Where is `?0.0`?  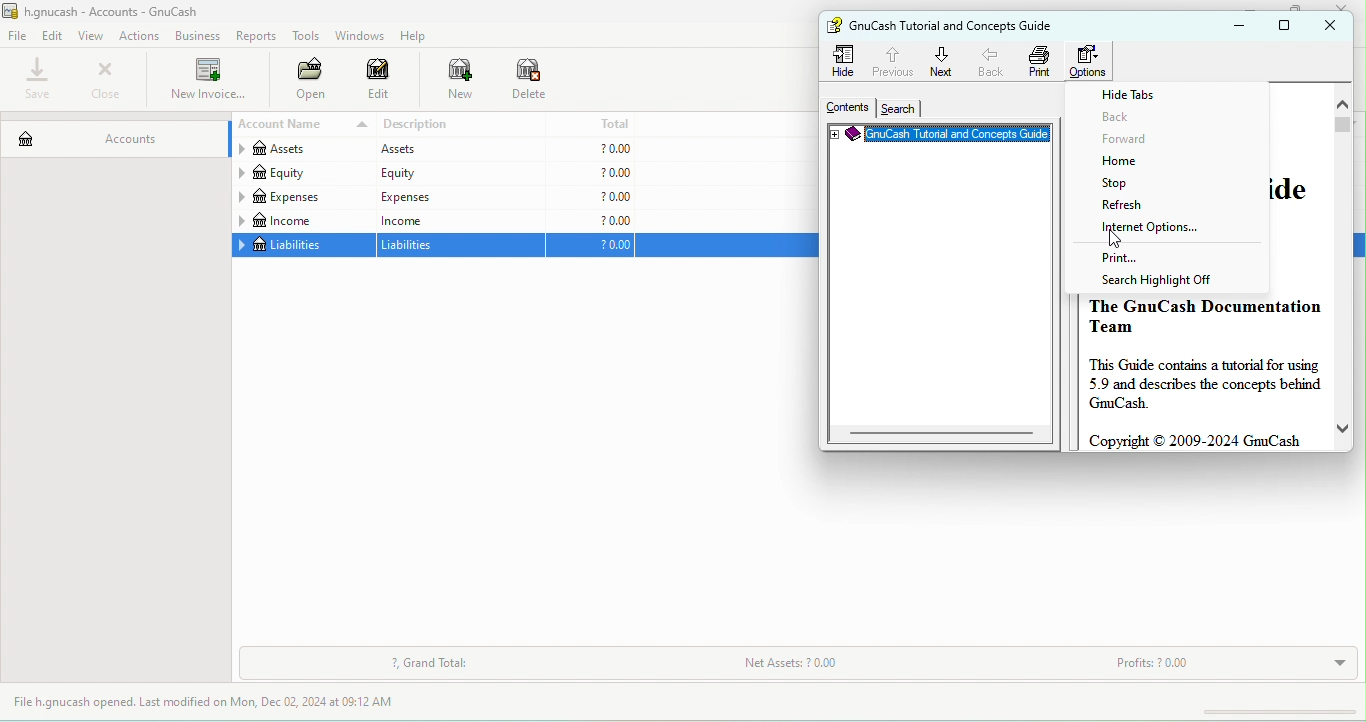 ?0.0 is located at coordinates (595, 246).